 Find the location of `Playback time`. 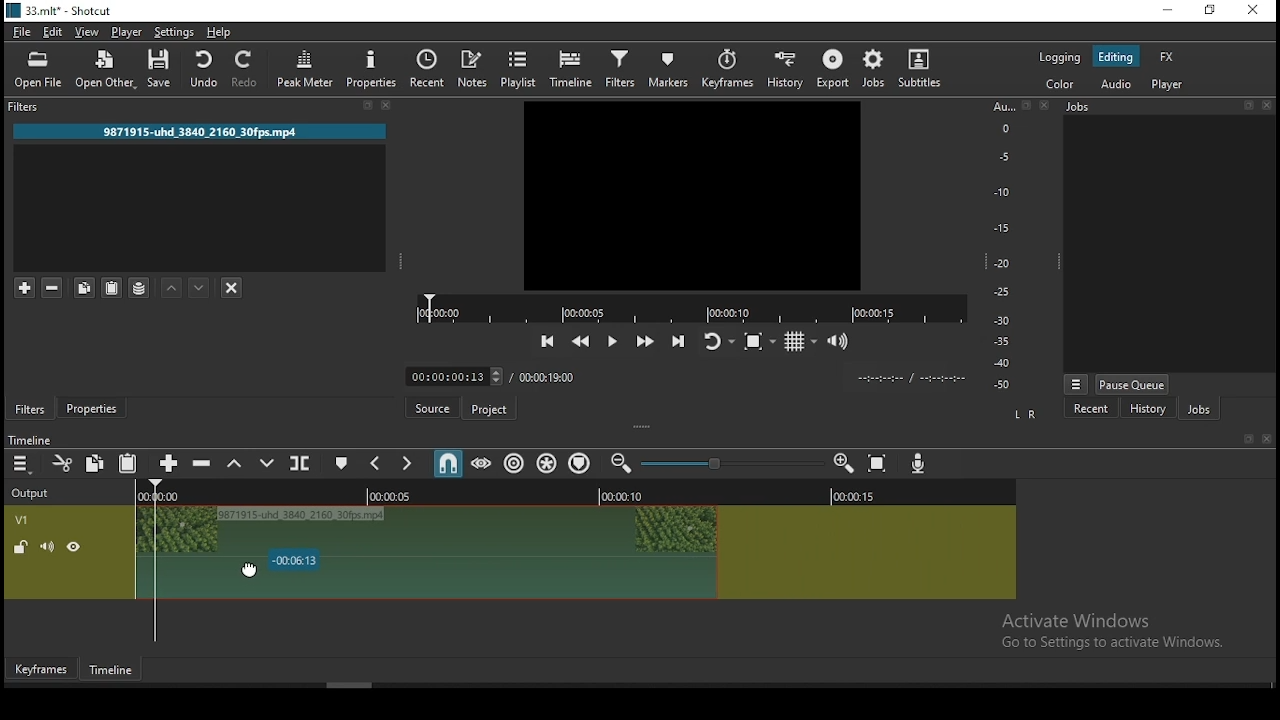

Playback time is located at coordinates (914, 379).